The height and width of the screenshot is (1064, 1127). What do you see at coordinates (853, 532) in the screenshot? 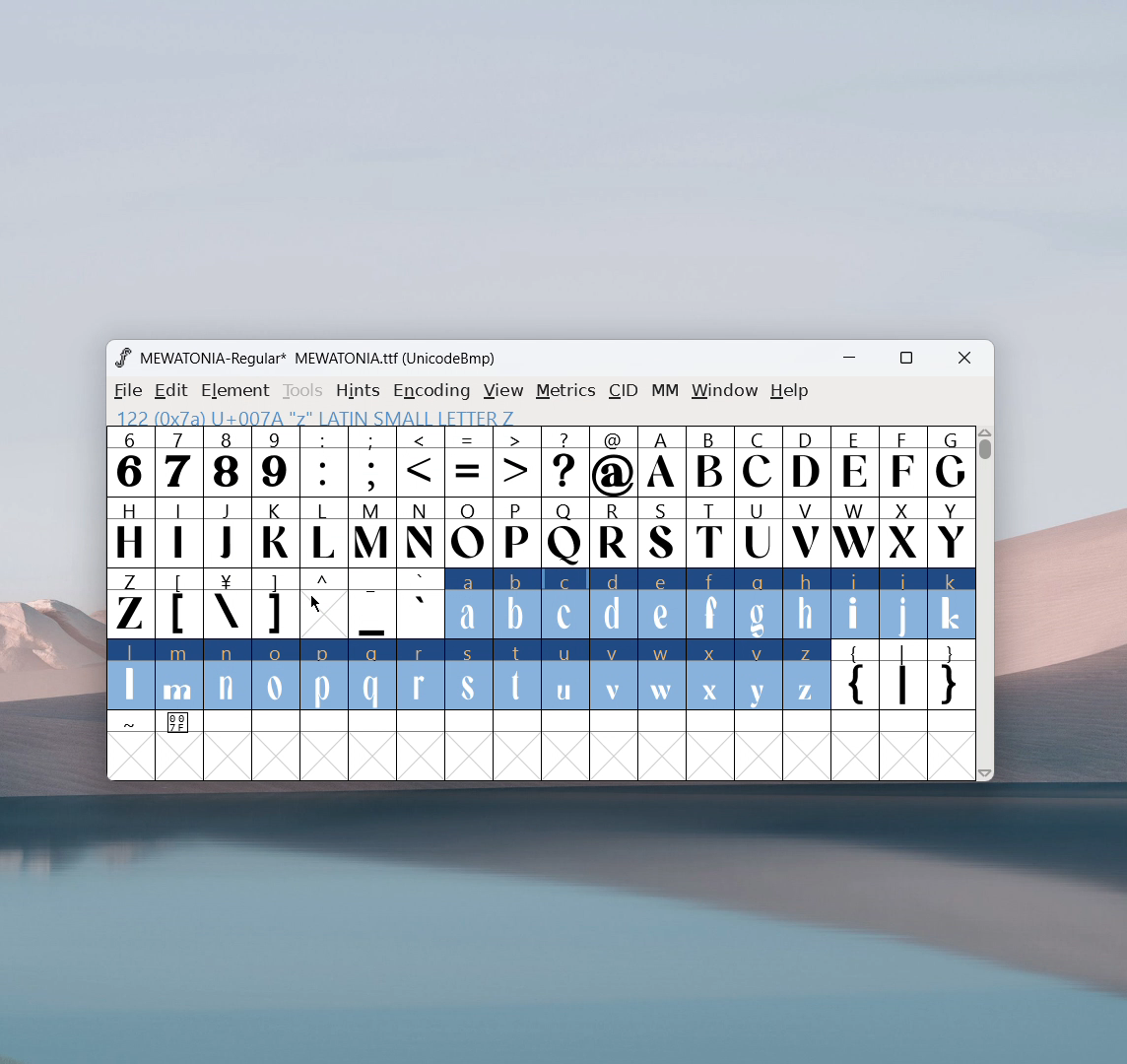
I see `W` at bounding box center [853, 532].